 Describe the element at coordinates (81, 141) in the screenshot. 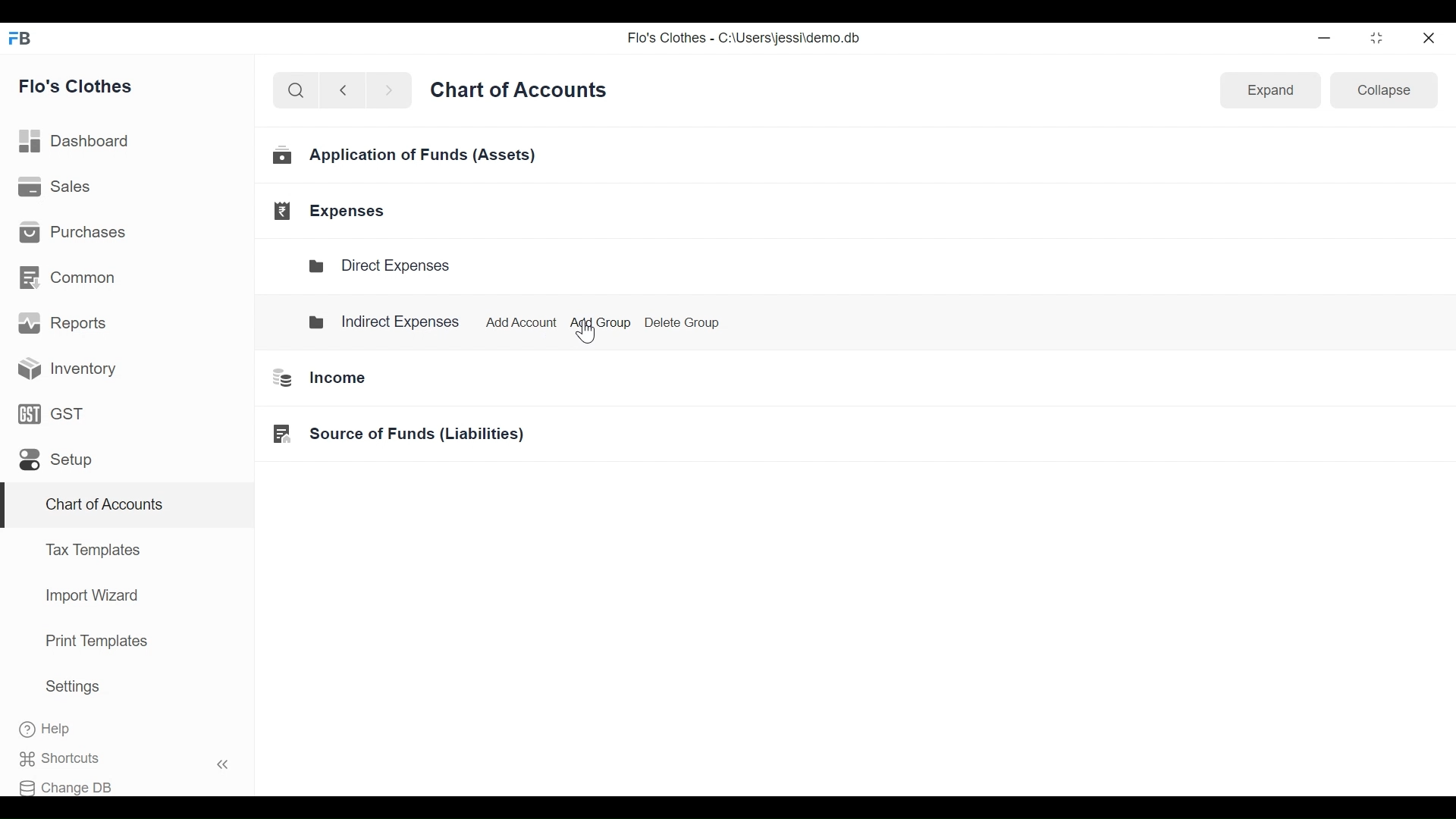

I see `Dashboard` at that location.